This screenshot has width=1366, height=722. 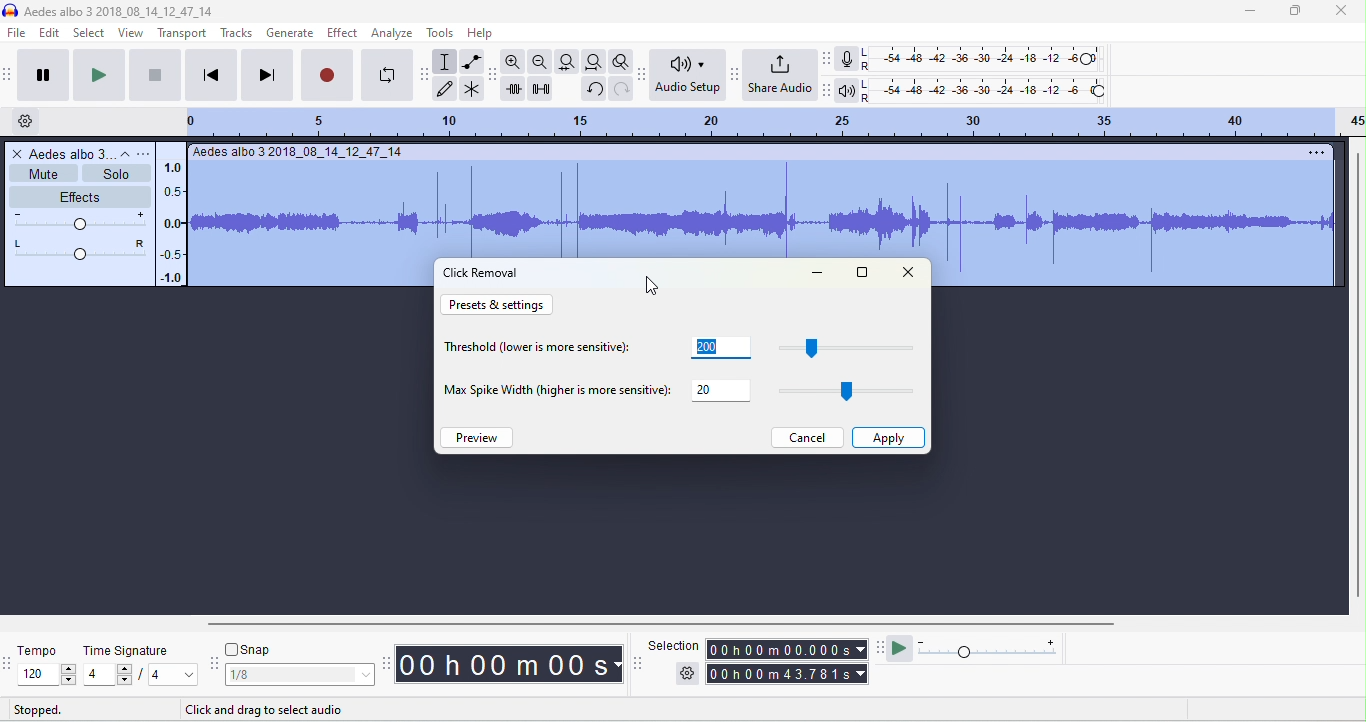 I want to click on L, so click(x=866, y=84).